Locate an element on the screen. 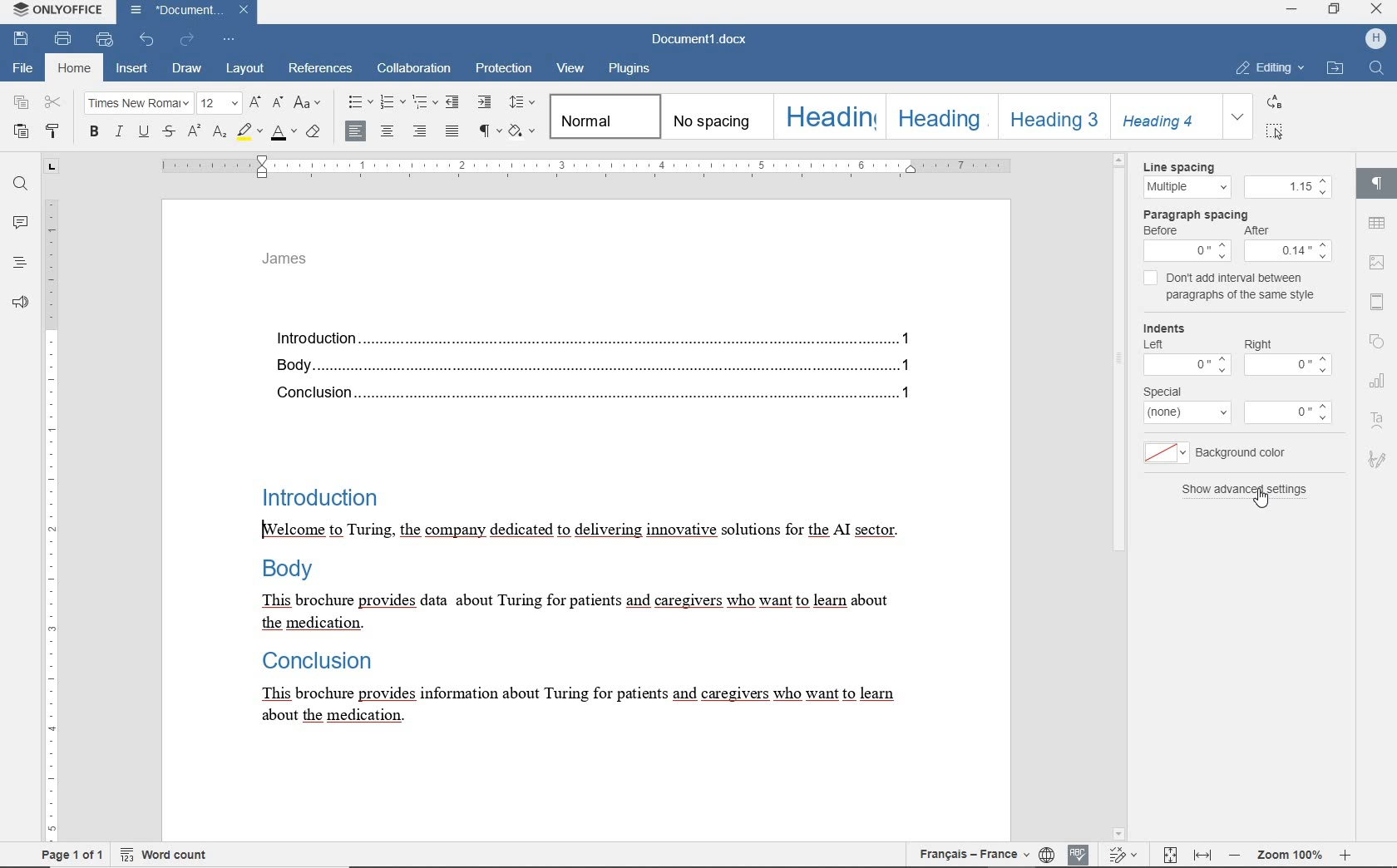  quick print is located at coordinates (104, 40).